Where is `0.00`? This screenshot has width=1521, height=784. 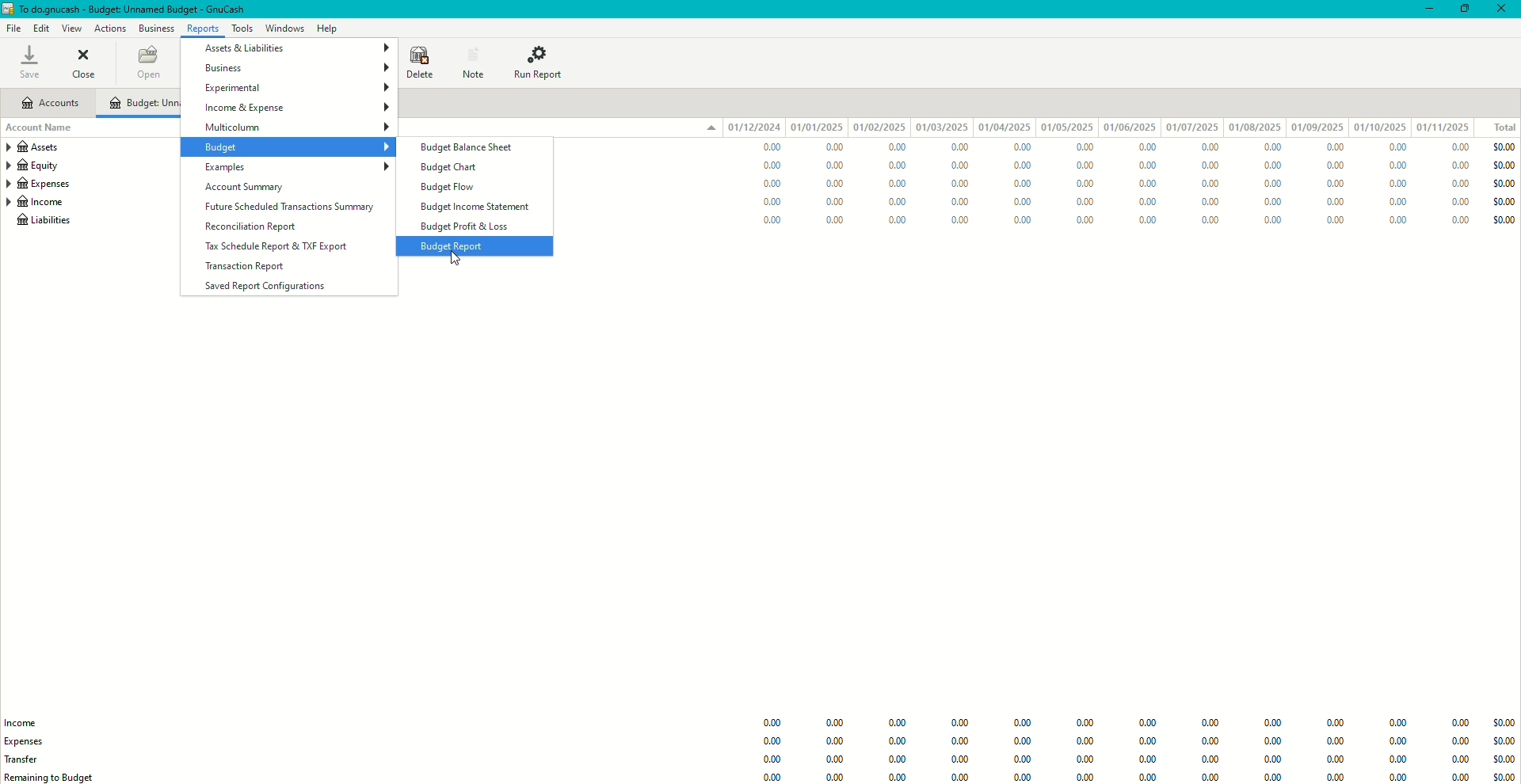
0.00 is located at coordinates (1398, 219).